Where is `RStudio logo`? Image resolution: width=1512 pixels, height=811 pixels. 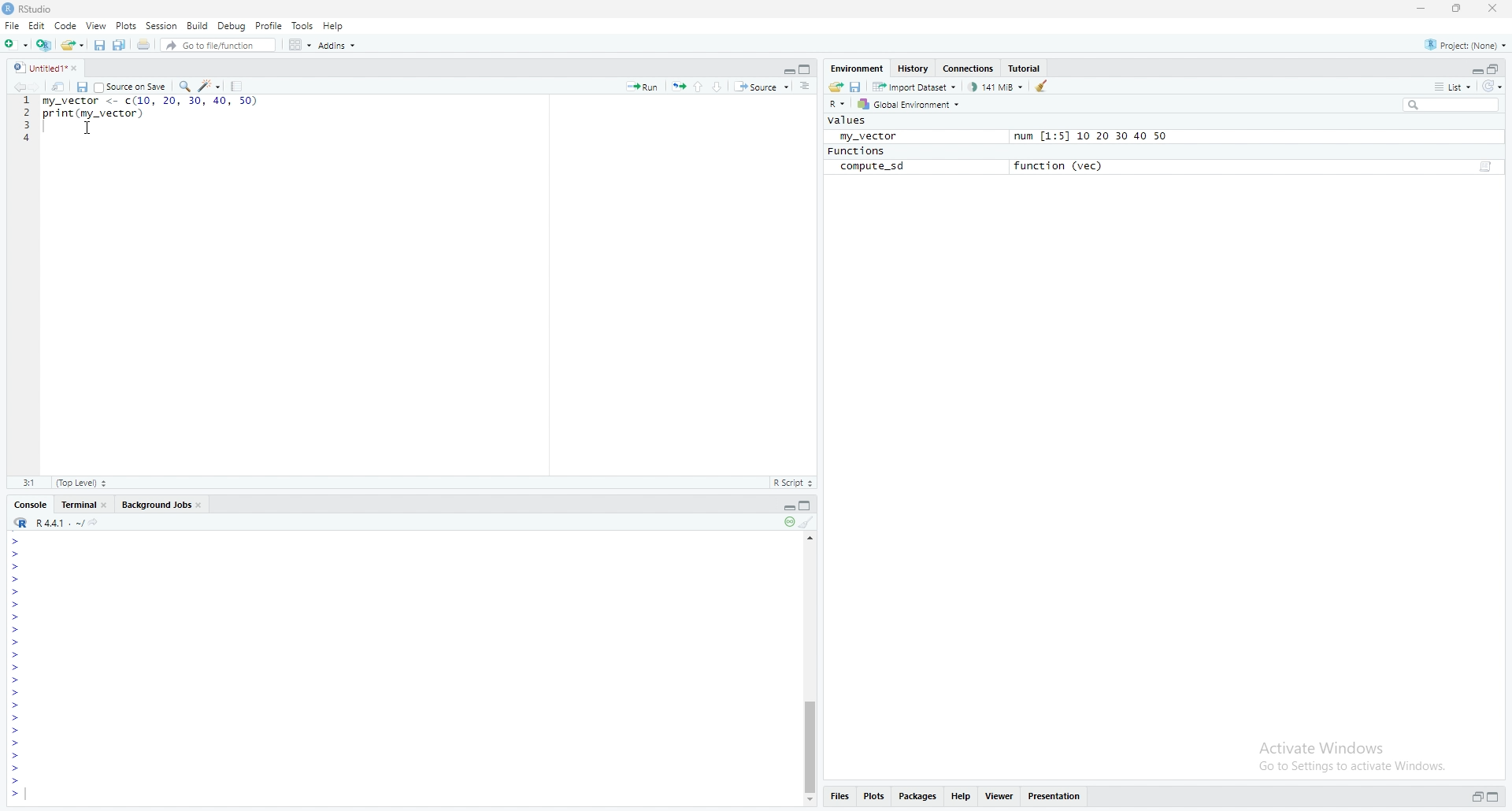 RStudio logo is located at coordinates (20, 523).